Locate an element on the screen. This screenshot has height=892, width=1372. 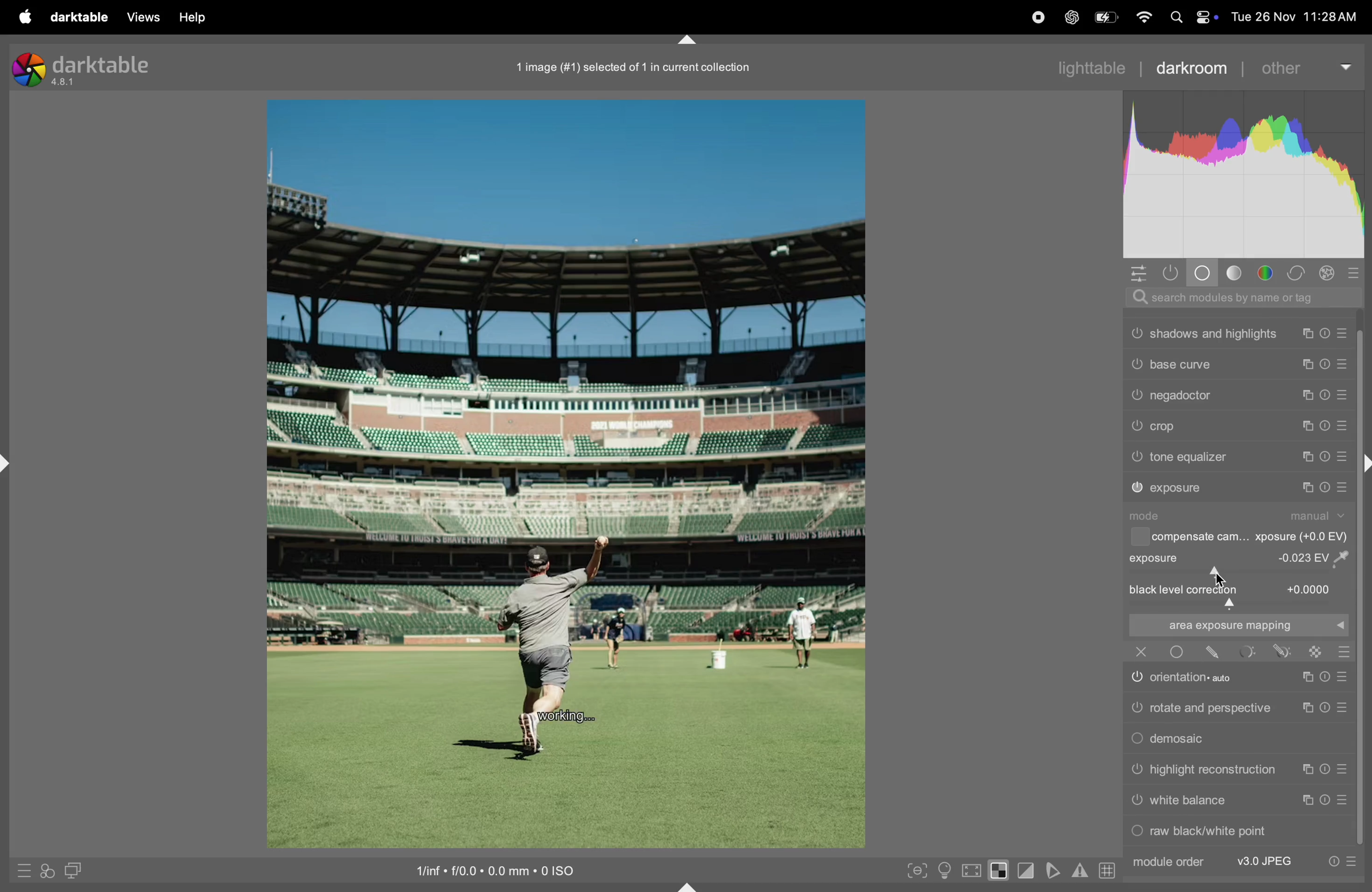
orientation is located at coordinates (1201, 676).